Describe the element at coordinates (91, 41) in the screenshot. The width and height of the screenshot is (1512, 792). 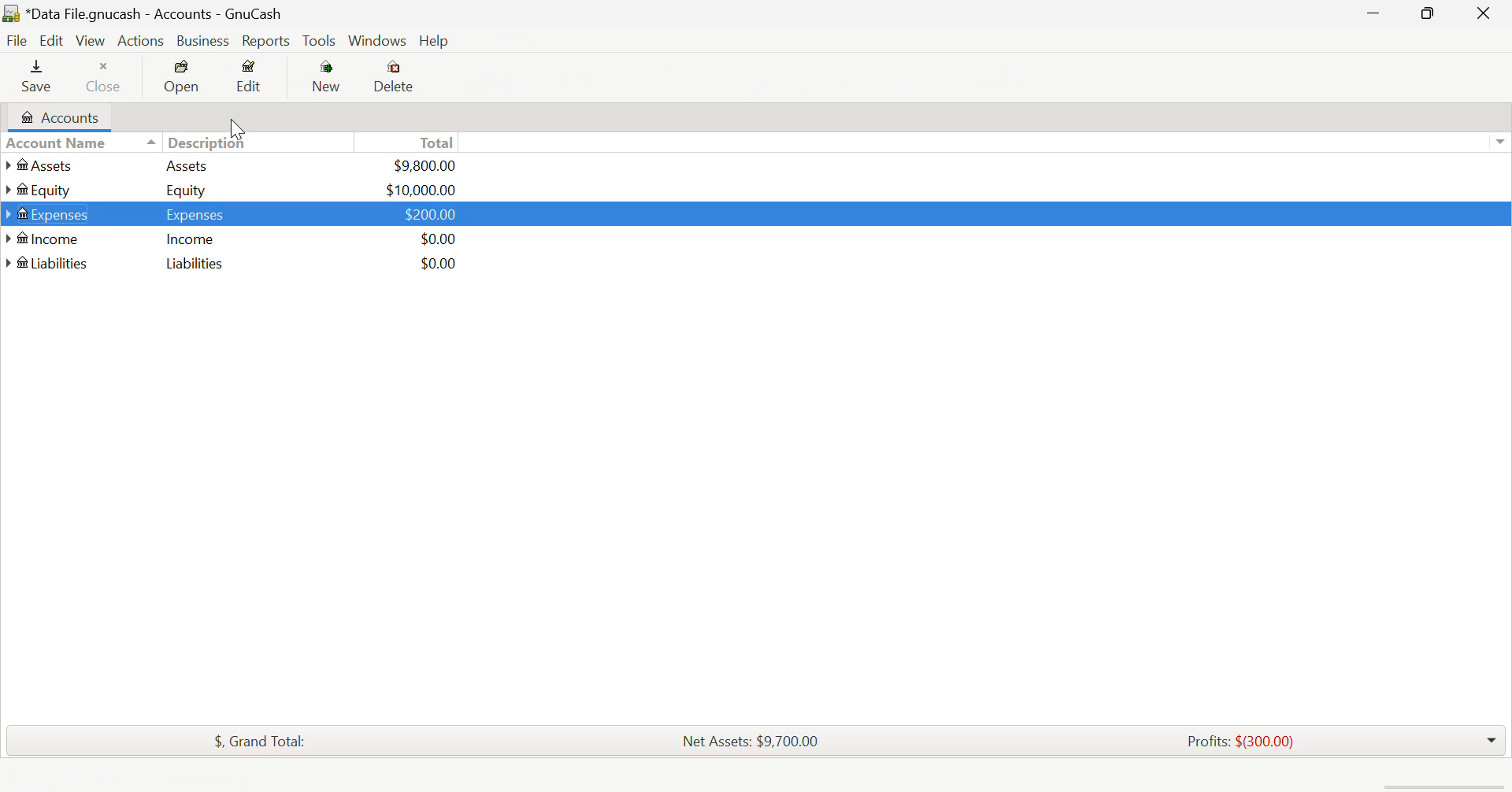
I see `View` at that location.